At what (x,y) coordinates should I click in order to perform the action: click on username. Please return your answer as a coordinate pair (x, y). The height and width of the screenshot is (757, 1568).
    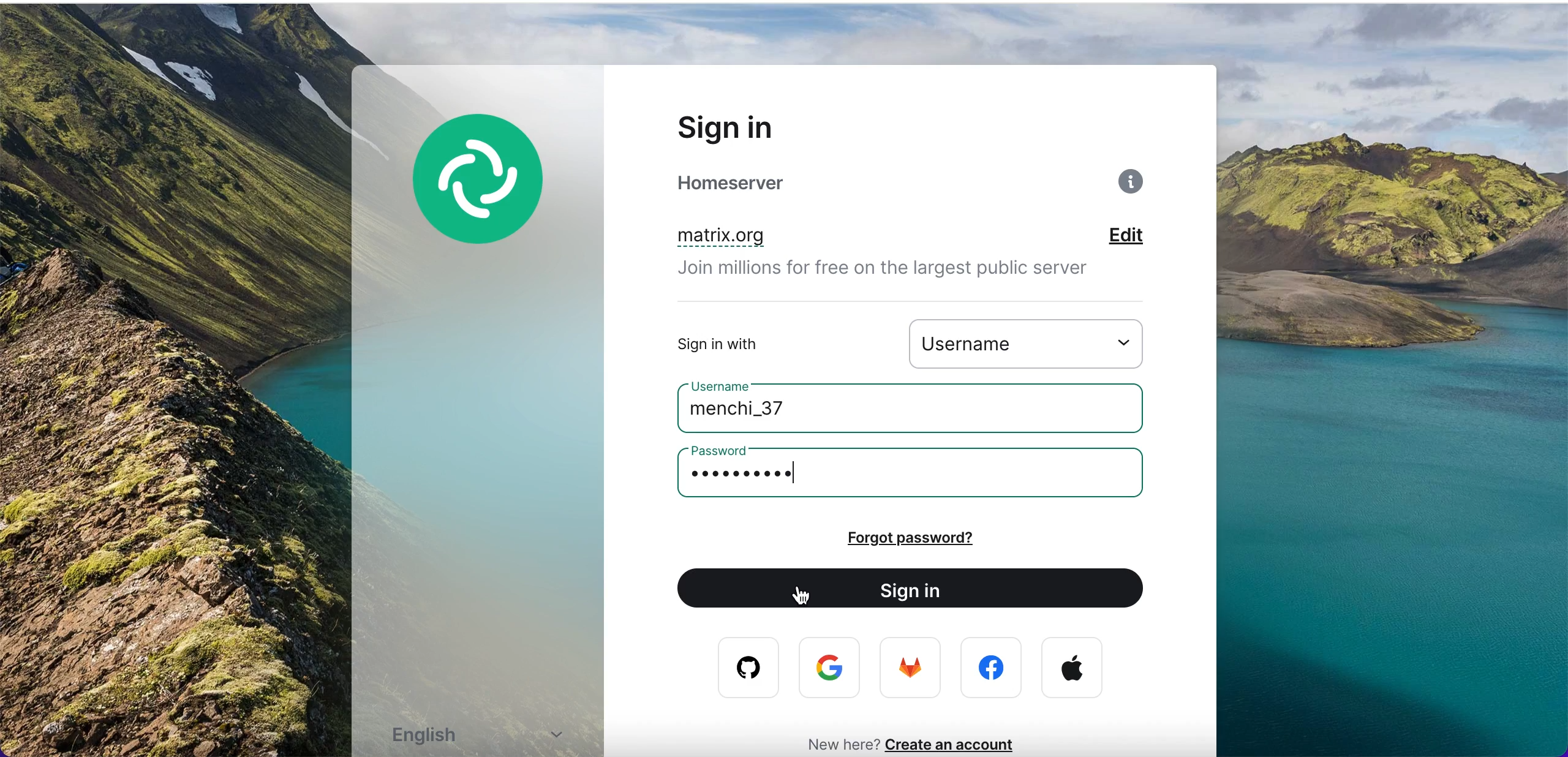
    Looking at the image, I should click on (729, 385).